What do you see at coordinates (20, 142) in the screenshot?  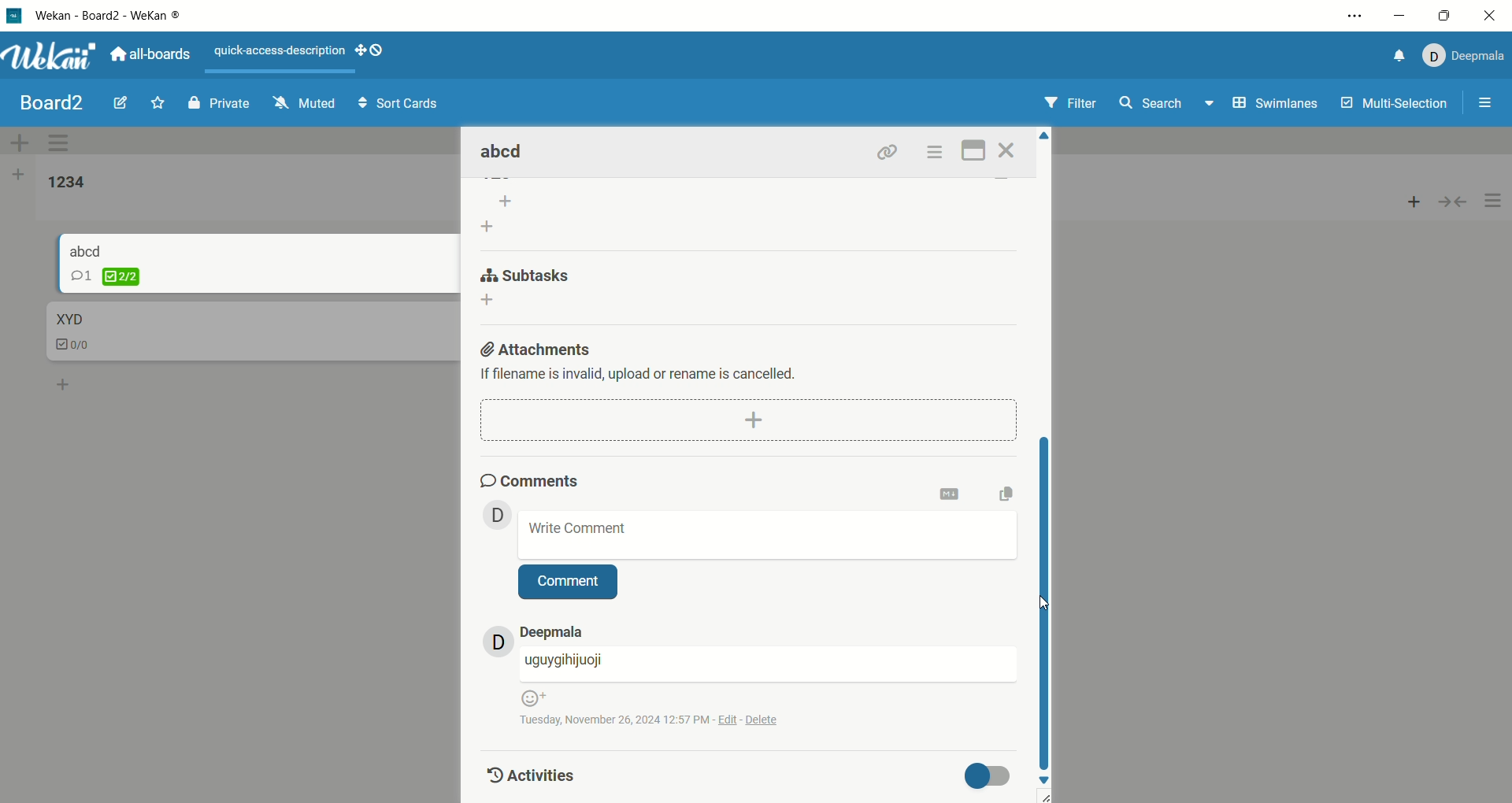 I see `add swimlane` at bounding box center [20, 142].